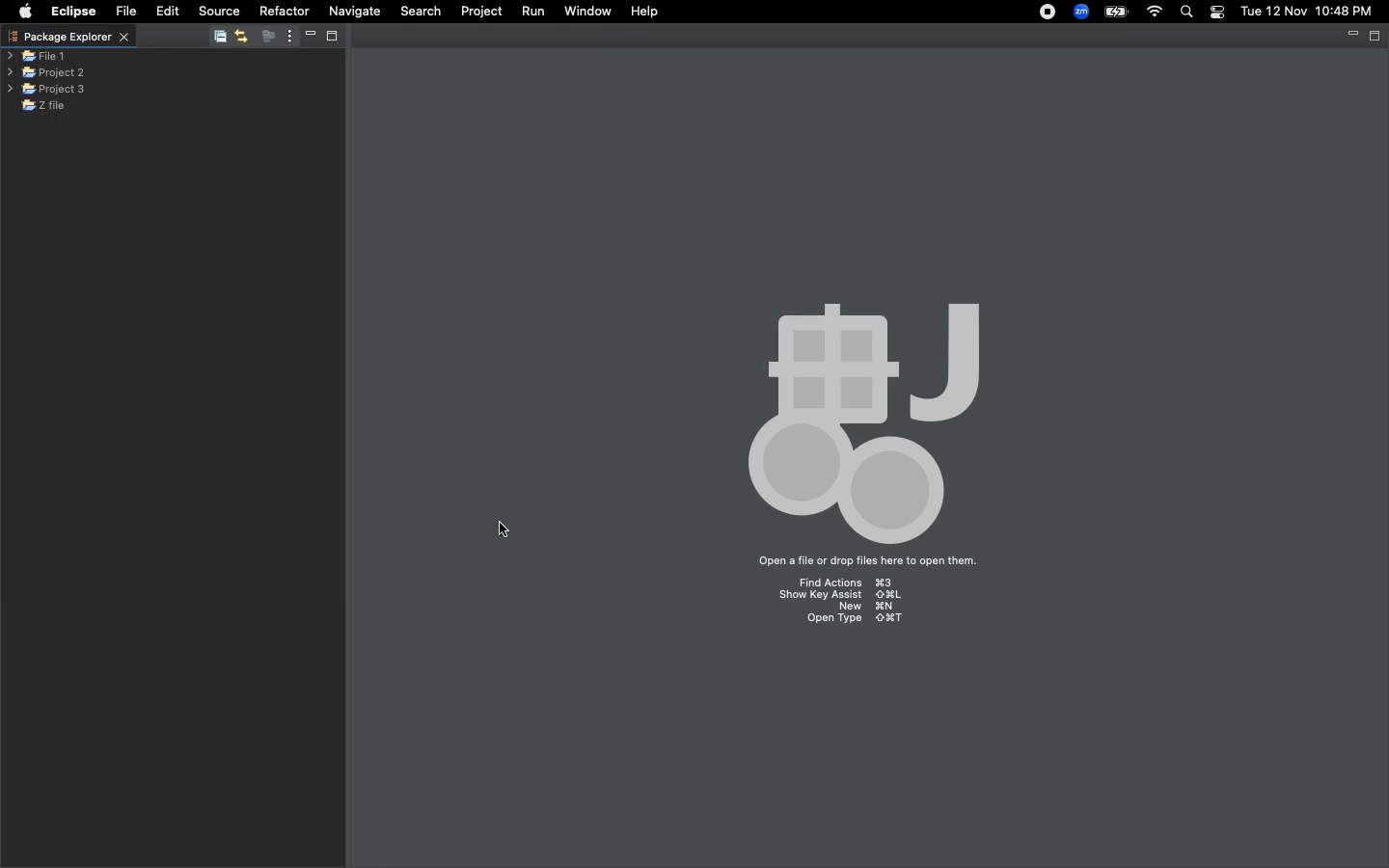 Image resolution: width=1389 pixels, height=868 pixels. Describe the element at coordinates (44, 73) in the screenshot. I see `Project 2` at that location.